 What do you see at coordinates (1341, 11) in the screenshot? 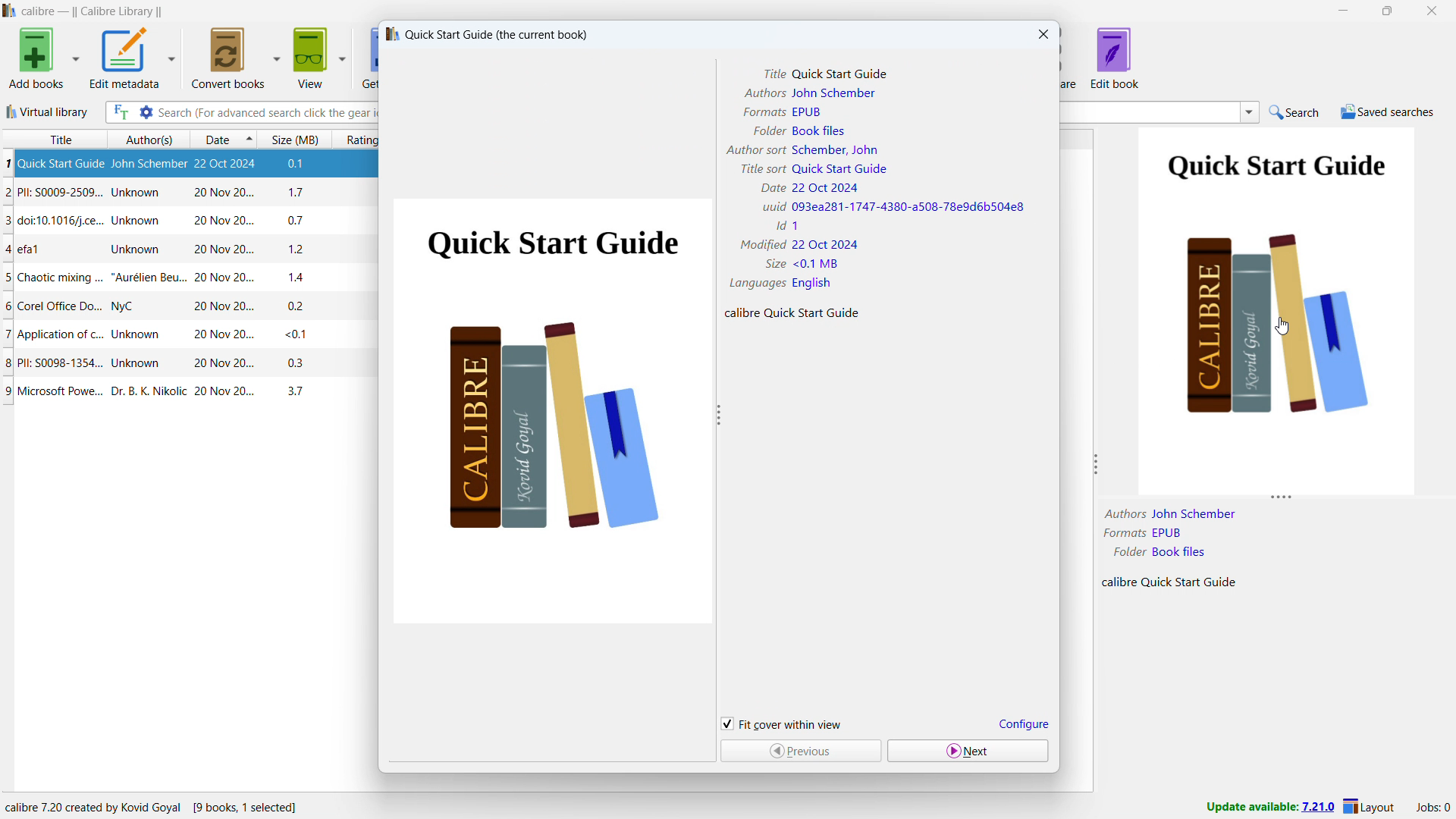
I see `minimize` at bounding box center [1341, 11].